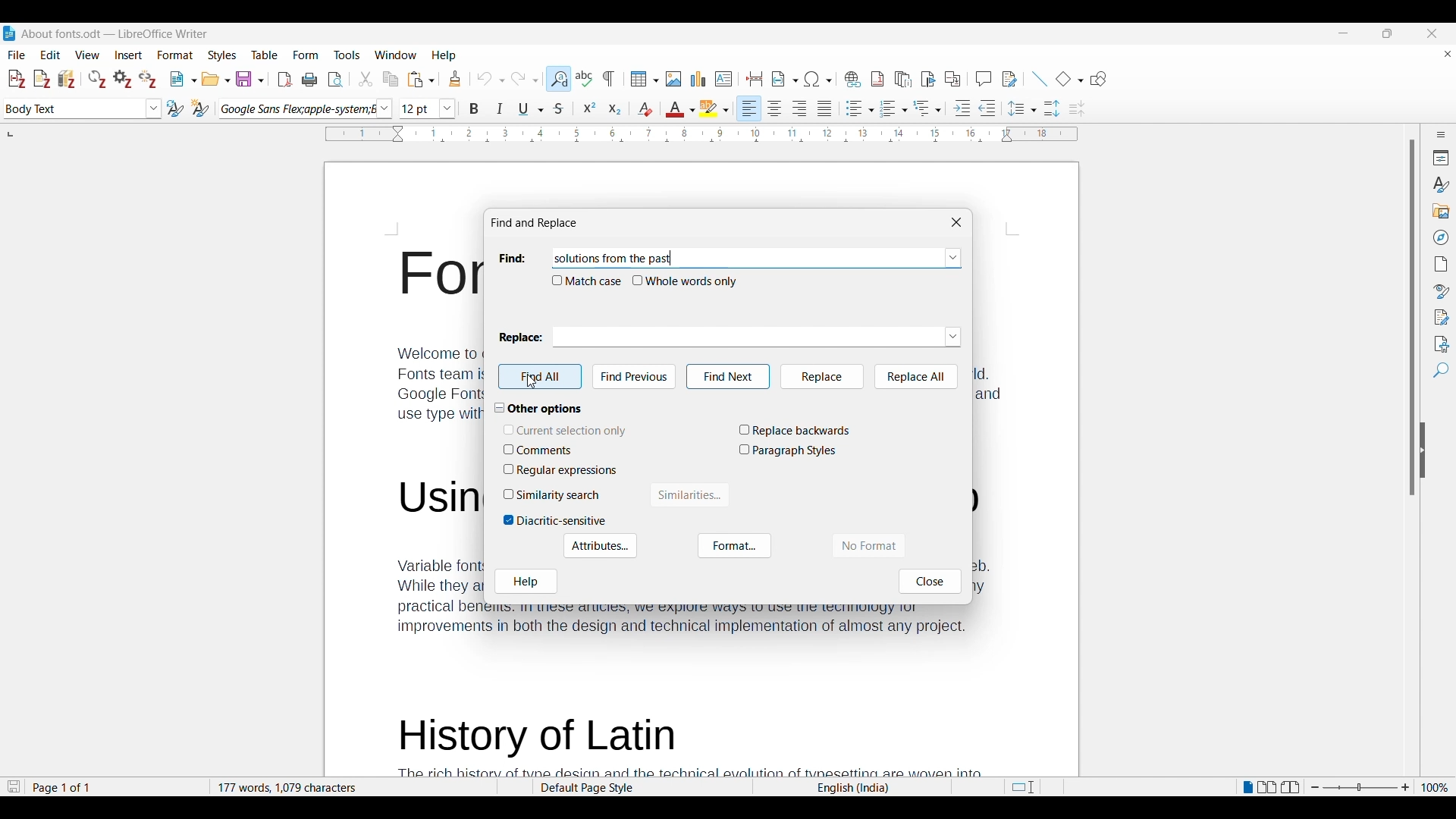  I want to click on Insert table, so click(645, 79).